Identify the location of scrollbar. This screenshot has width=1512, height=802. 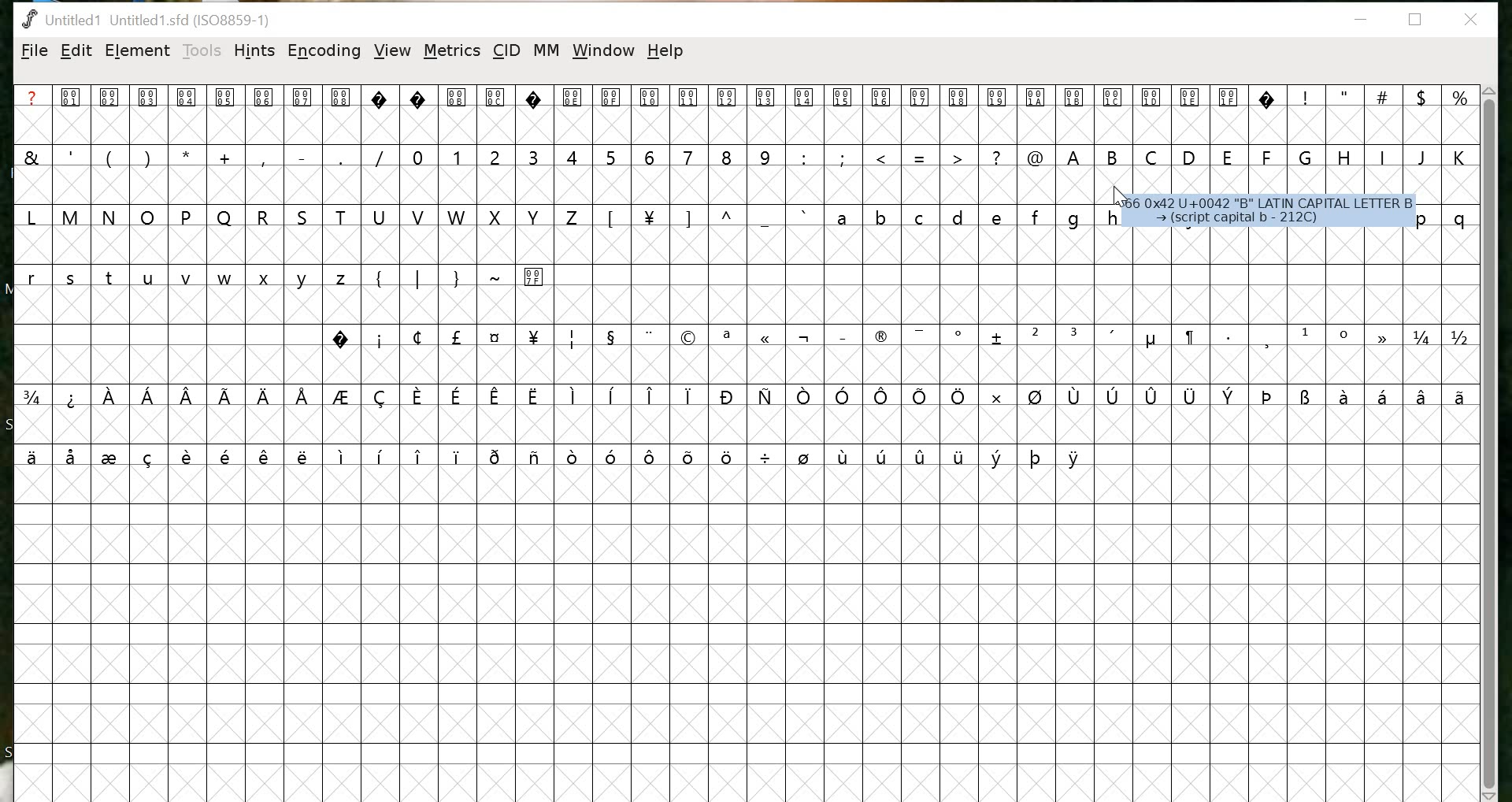
(1489, 442).